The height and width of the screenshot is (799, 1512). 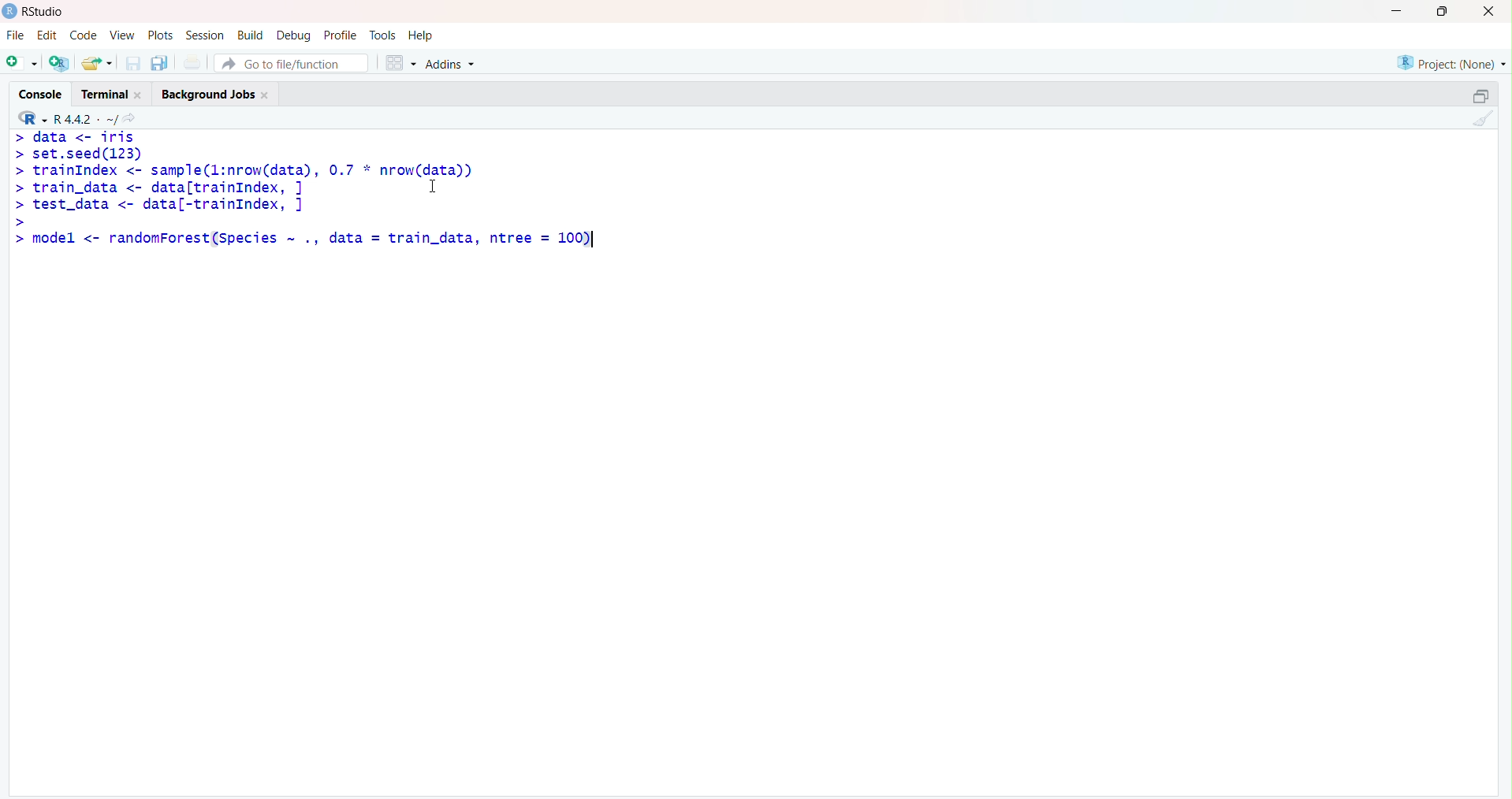 I want to click on Maximize/ Restore, so click(x=1478, y=95).